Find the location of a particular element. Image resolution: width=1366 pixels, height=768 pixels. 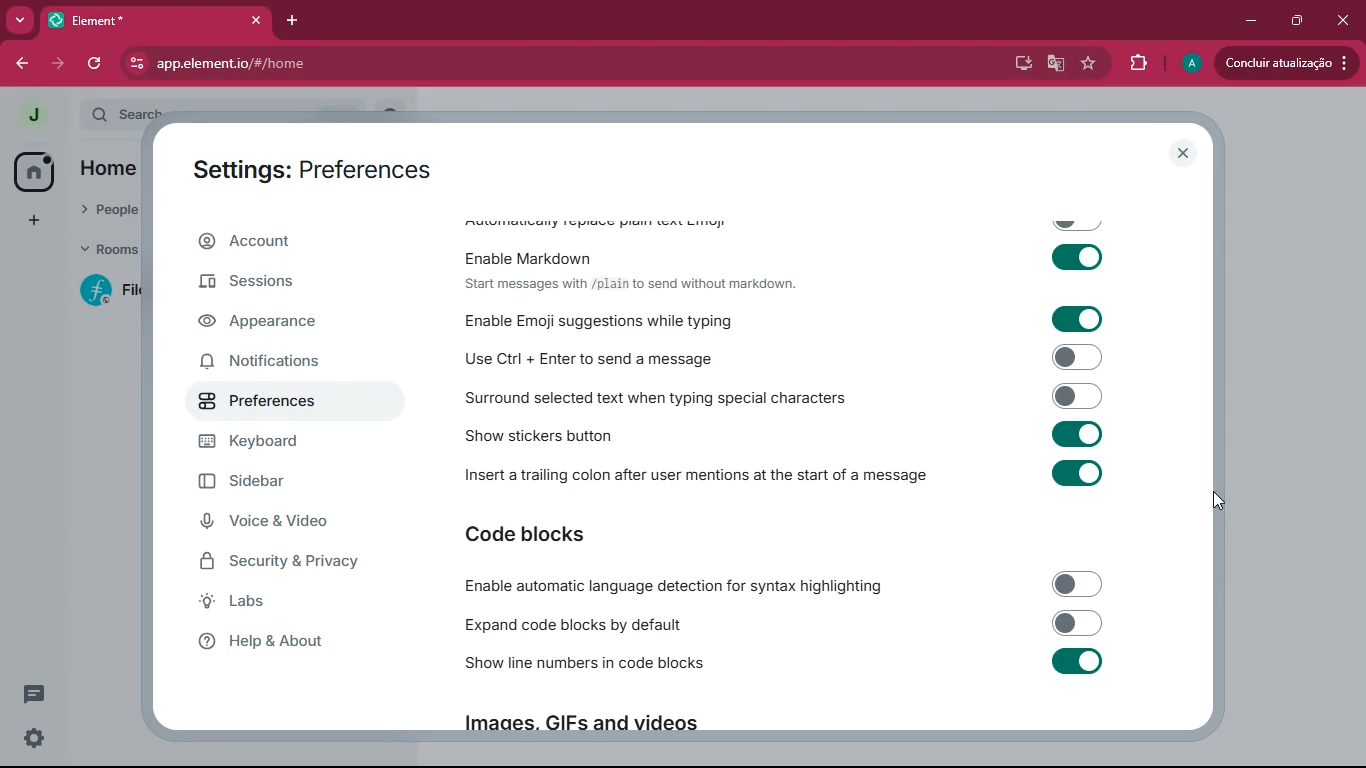

back is located at coordinates (22, 65).